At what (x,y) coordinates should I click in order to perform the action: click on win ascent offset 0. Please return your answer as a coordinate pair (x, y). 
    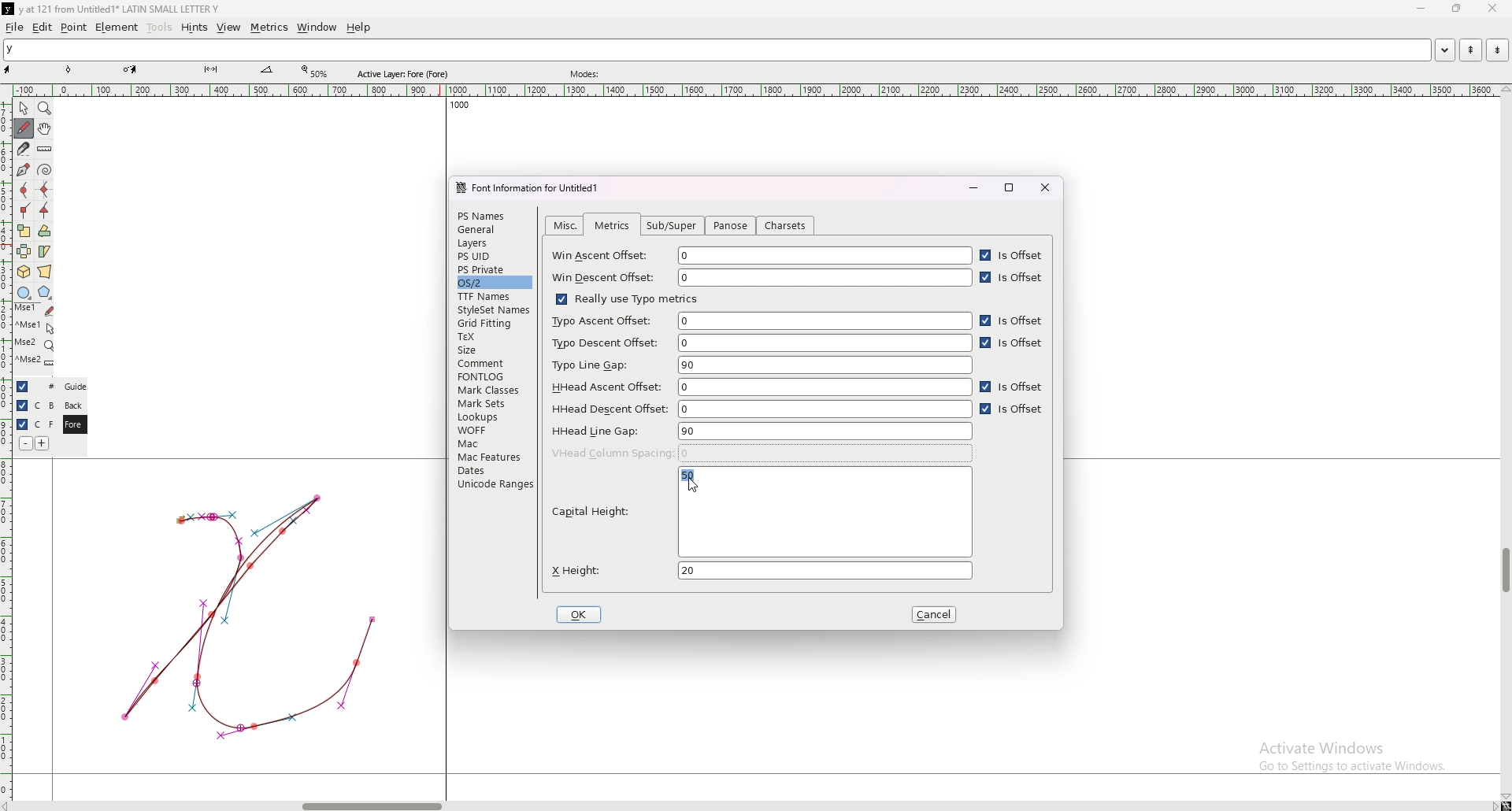
    Looking at the image, I should click on (762, 256).